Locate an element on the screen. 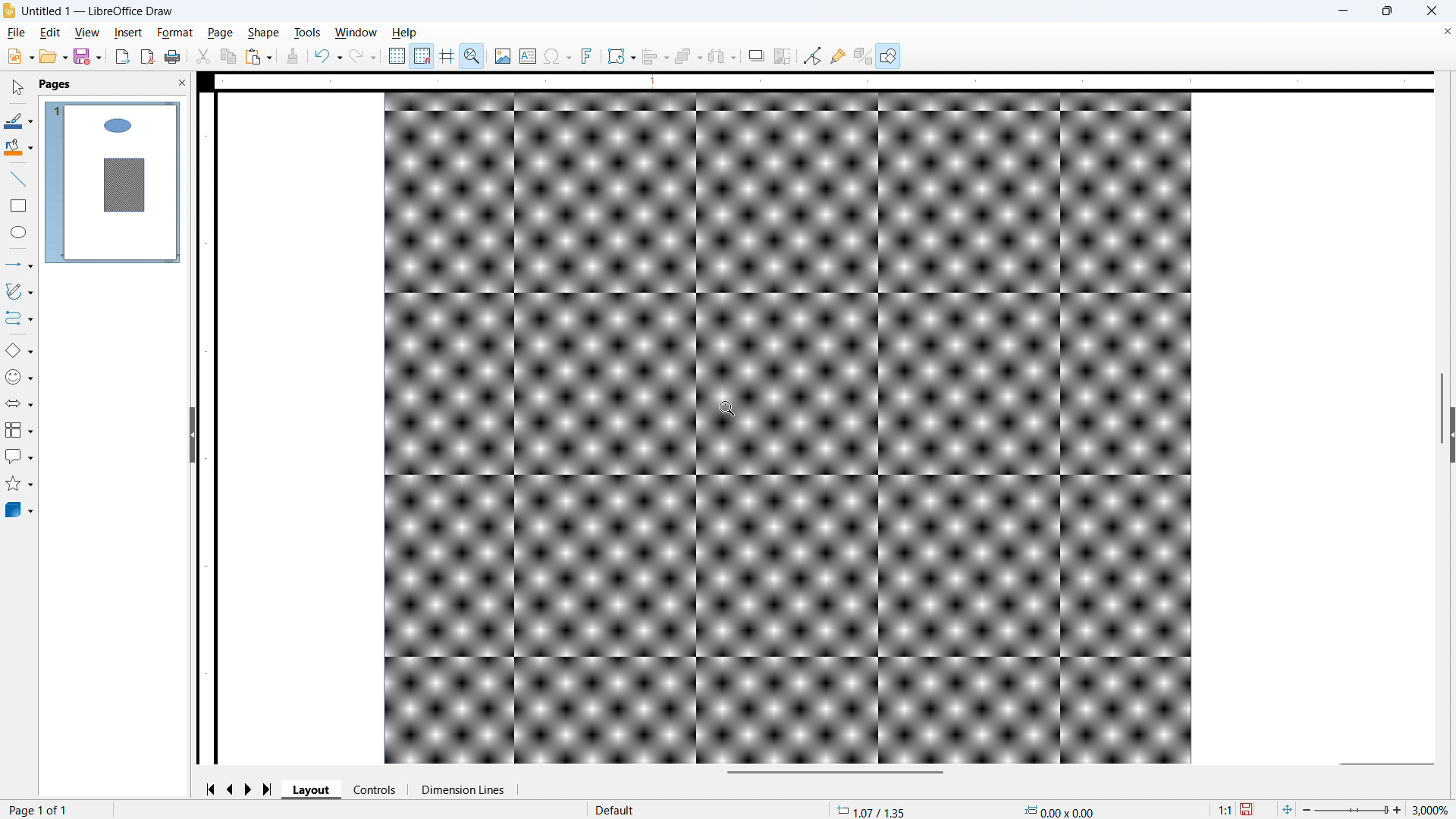 The image size is (1456, 819). select  is located at coordinates (19, 88).